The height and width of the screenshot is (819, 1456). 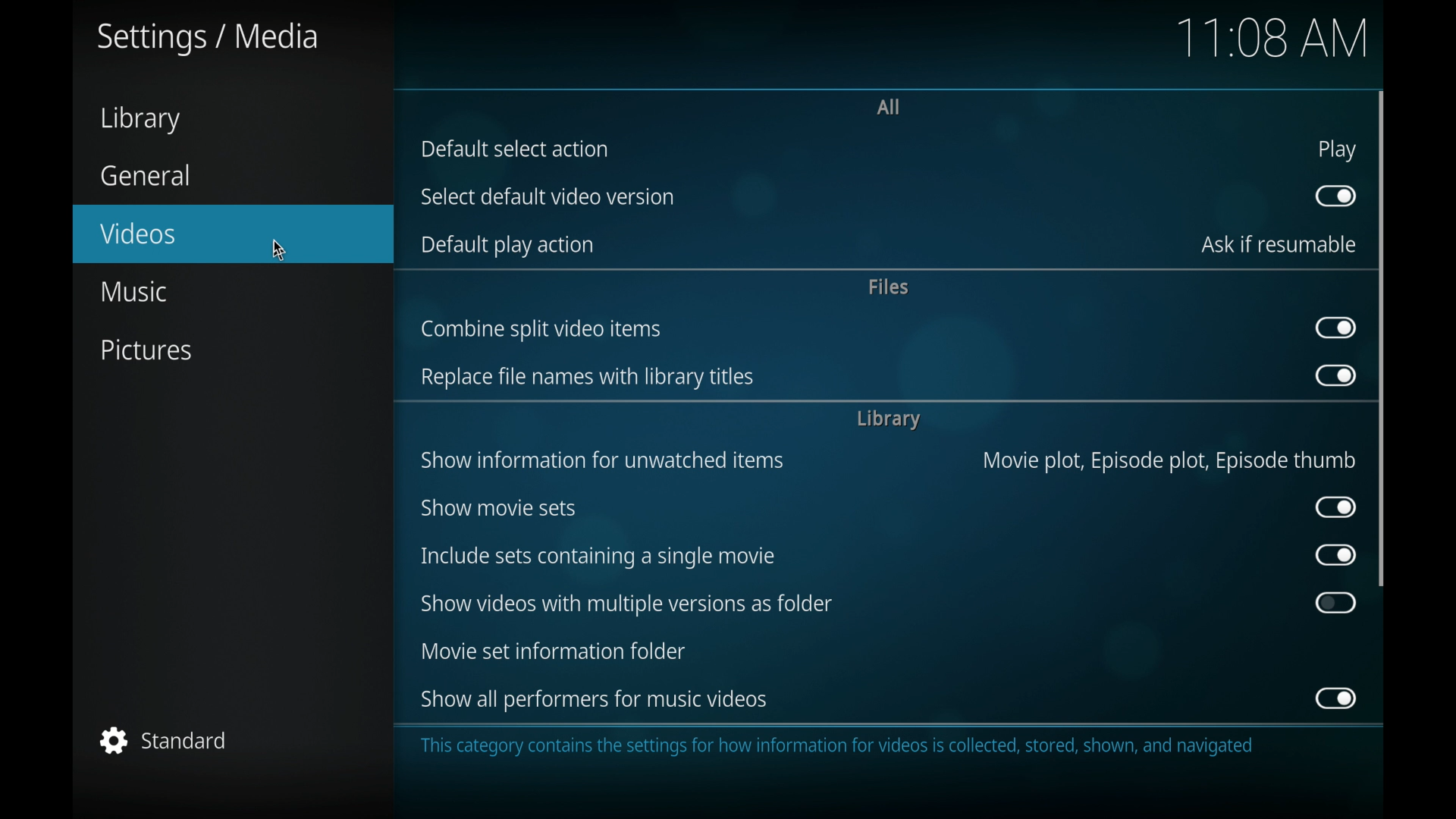 What do you see at coordinates (1276, 38) in the screenshot?
I see `11.08  am` at bounding box center [1276, 38].